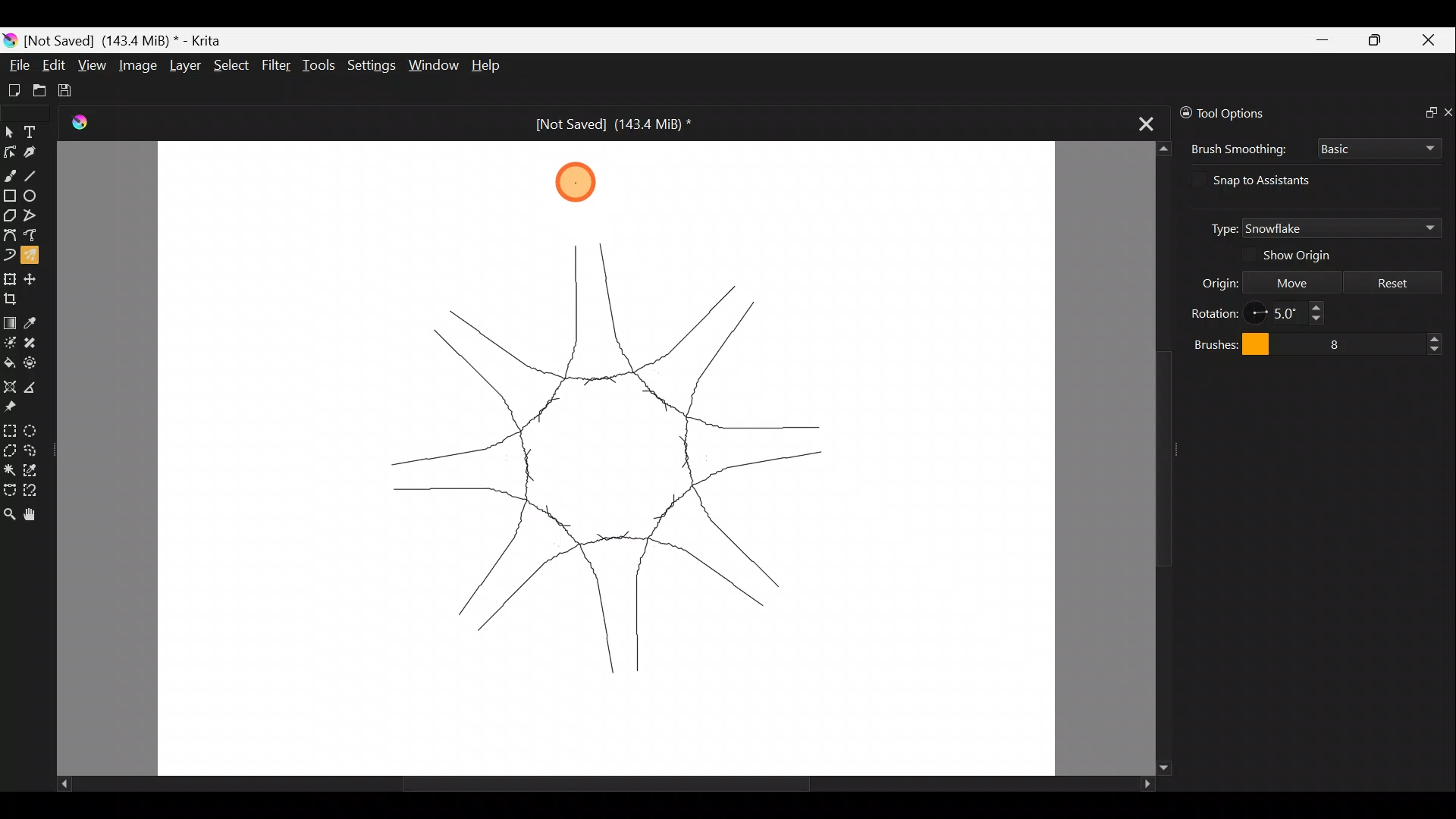 Image resolution: width=1456 pixels, height=819 pixels. Describe the element at coordinates (9, 236) in the screenshot. I see `Bezier curve tool` at that location.